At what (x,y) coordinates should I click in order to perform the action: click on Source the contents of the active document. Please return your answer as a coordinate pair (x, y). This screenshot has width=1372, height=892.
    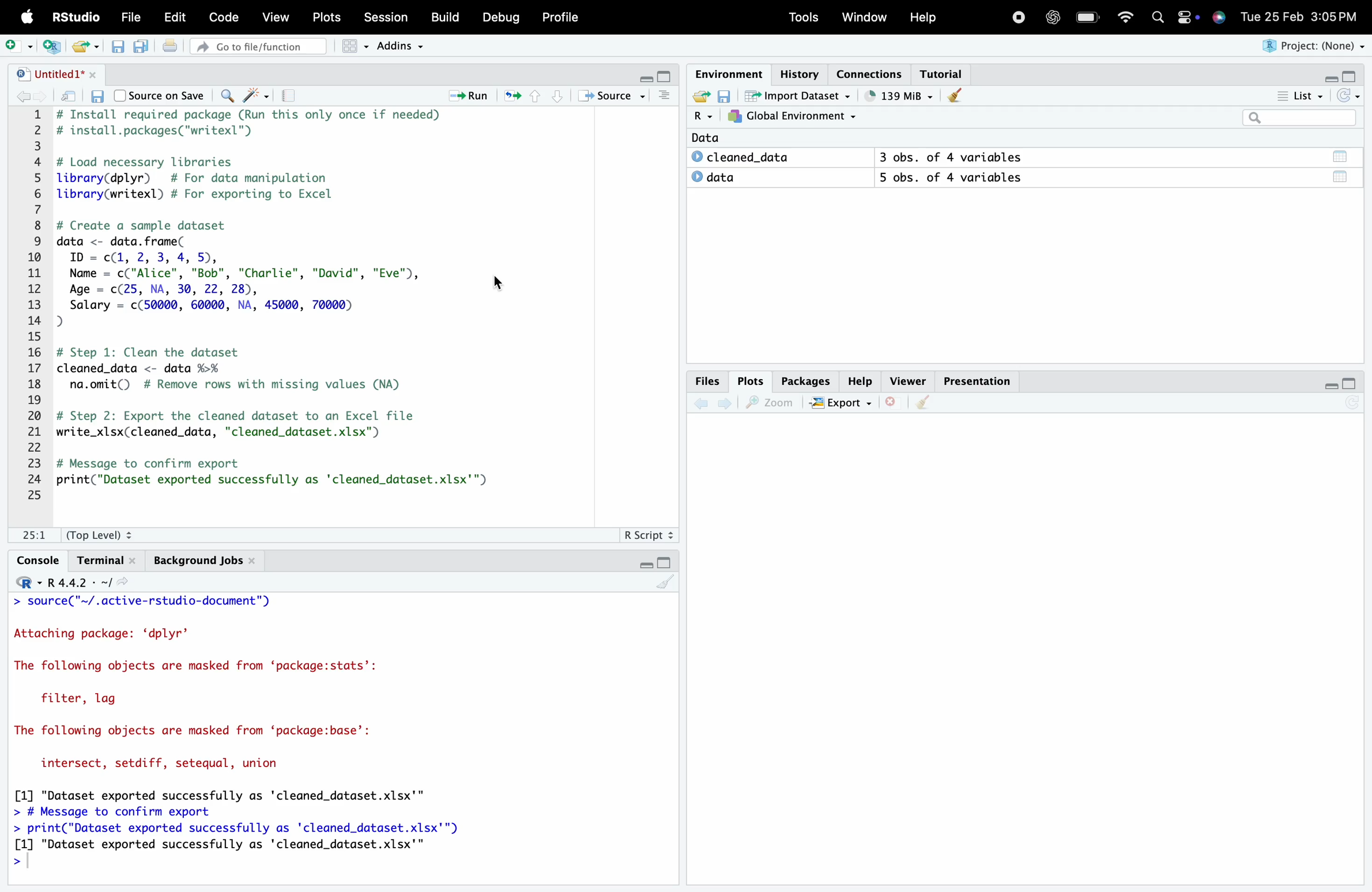
    Looking at the image, I should click on (609, 96).